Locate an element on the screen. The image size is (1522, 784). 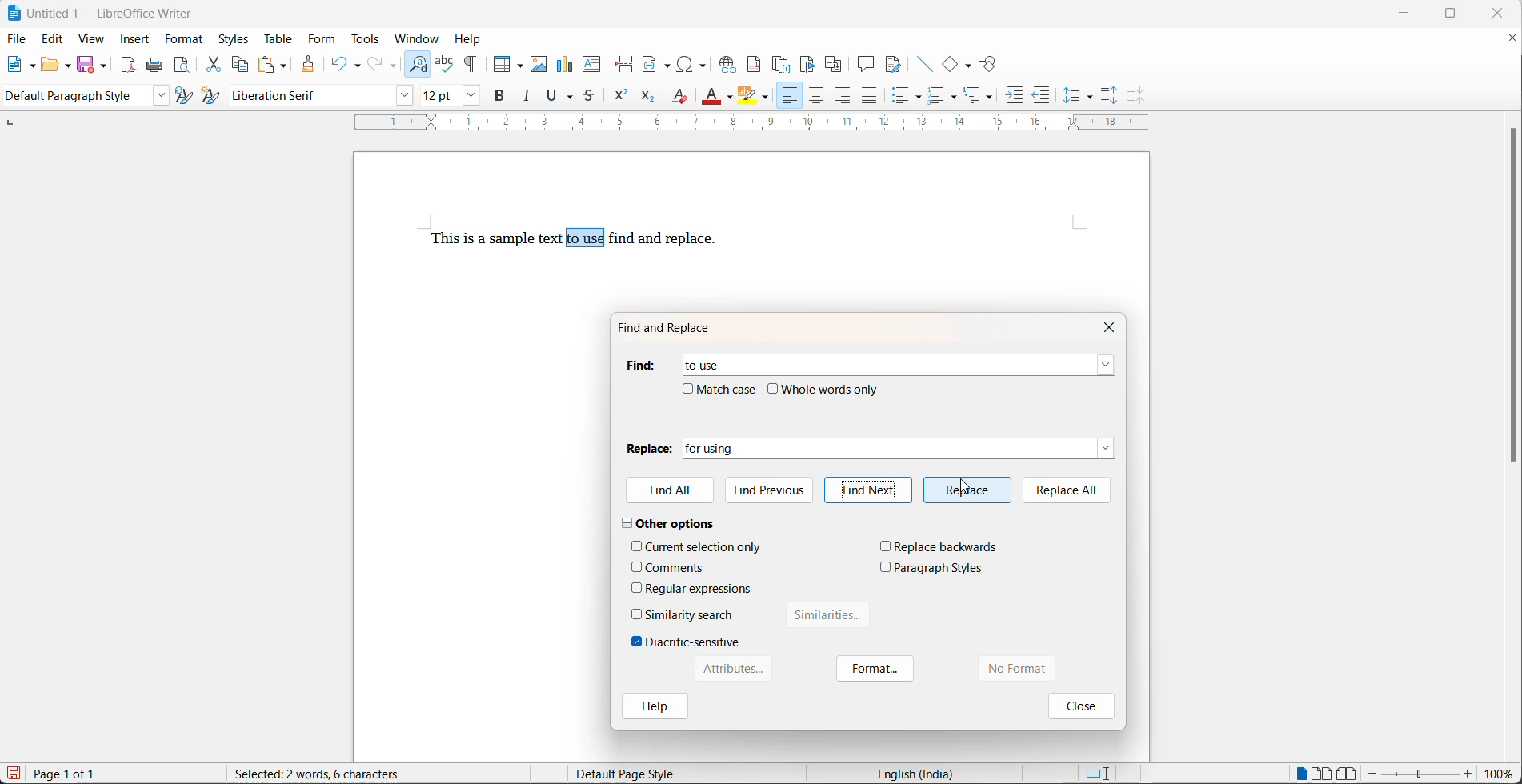
for using is located at coordinates (884, 448).